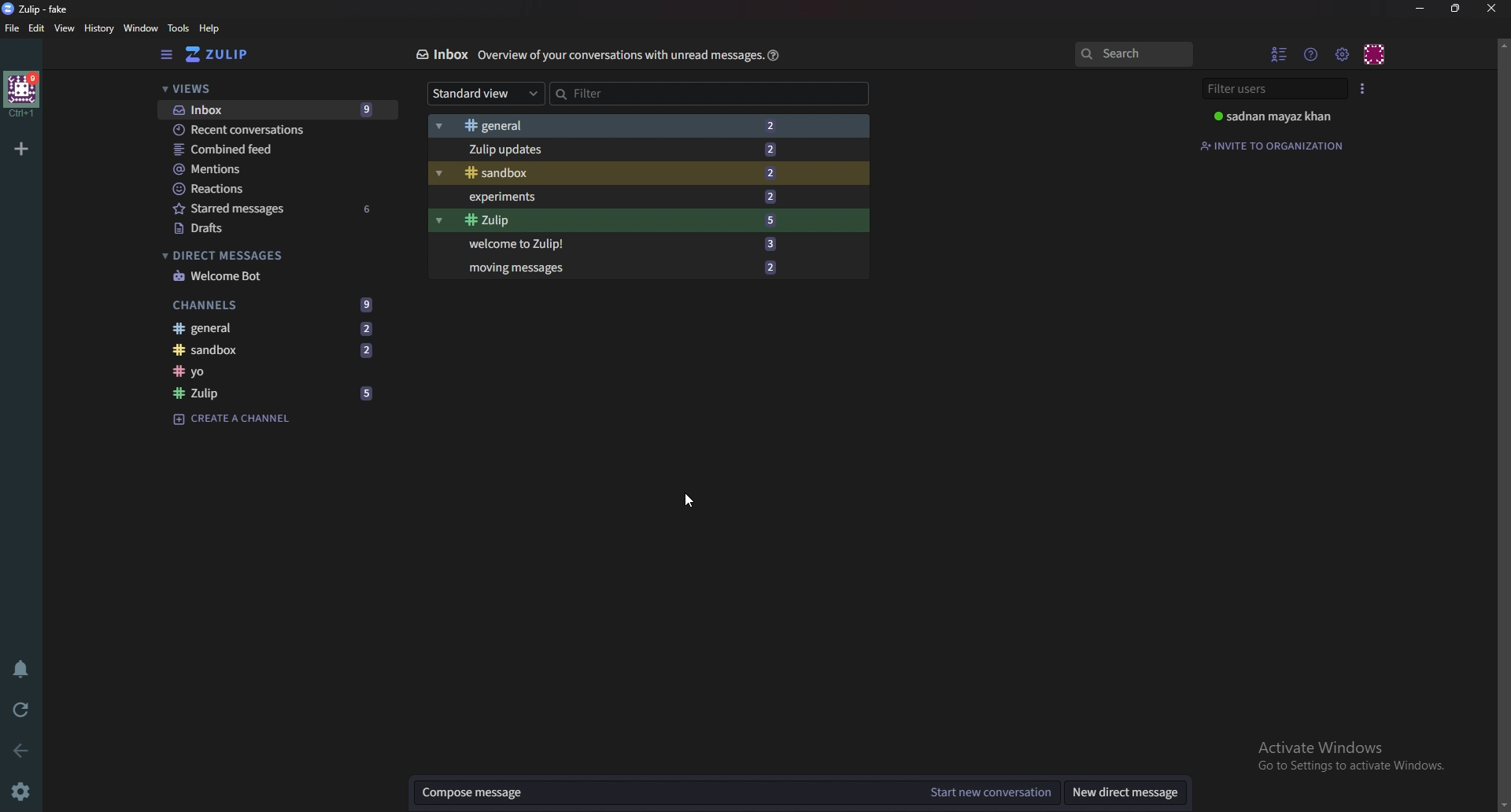  What do you see at coordinates (272, 209) in the screenshot?
I see `starred messages` at bounding box center [272, 209].